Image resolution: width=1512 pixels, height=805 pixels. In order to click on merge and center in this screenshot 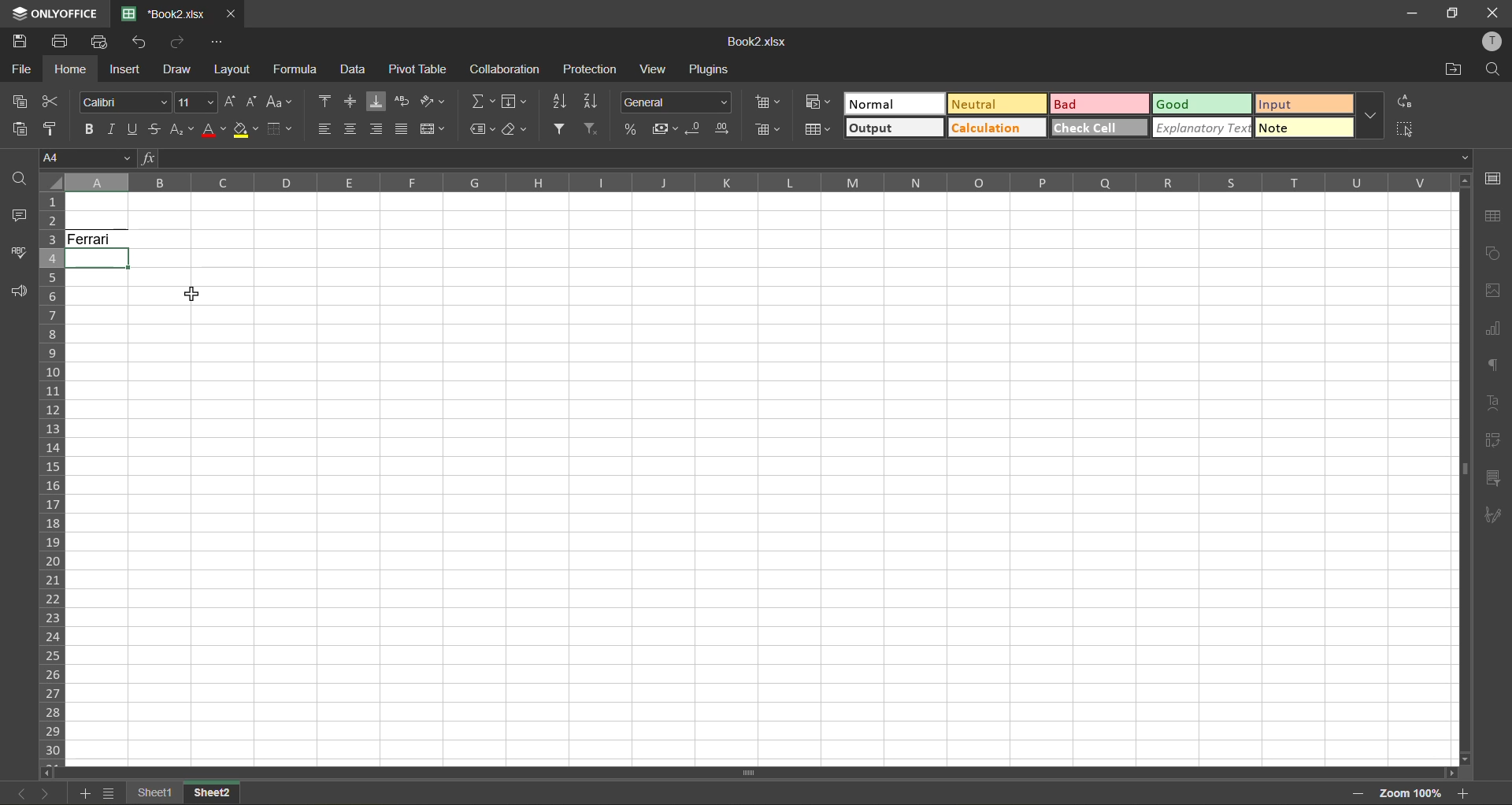, I will do `click(431, 128)`.